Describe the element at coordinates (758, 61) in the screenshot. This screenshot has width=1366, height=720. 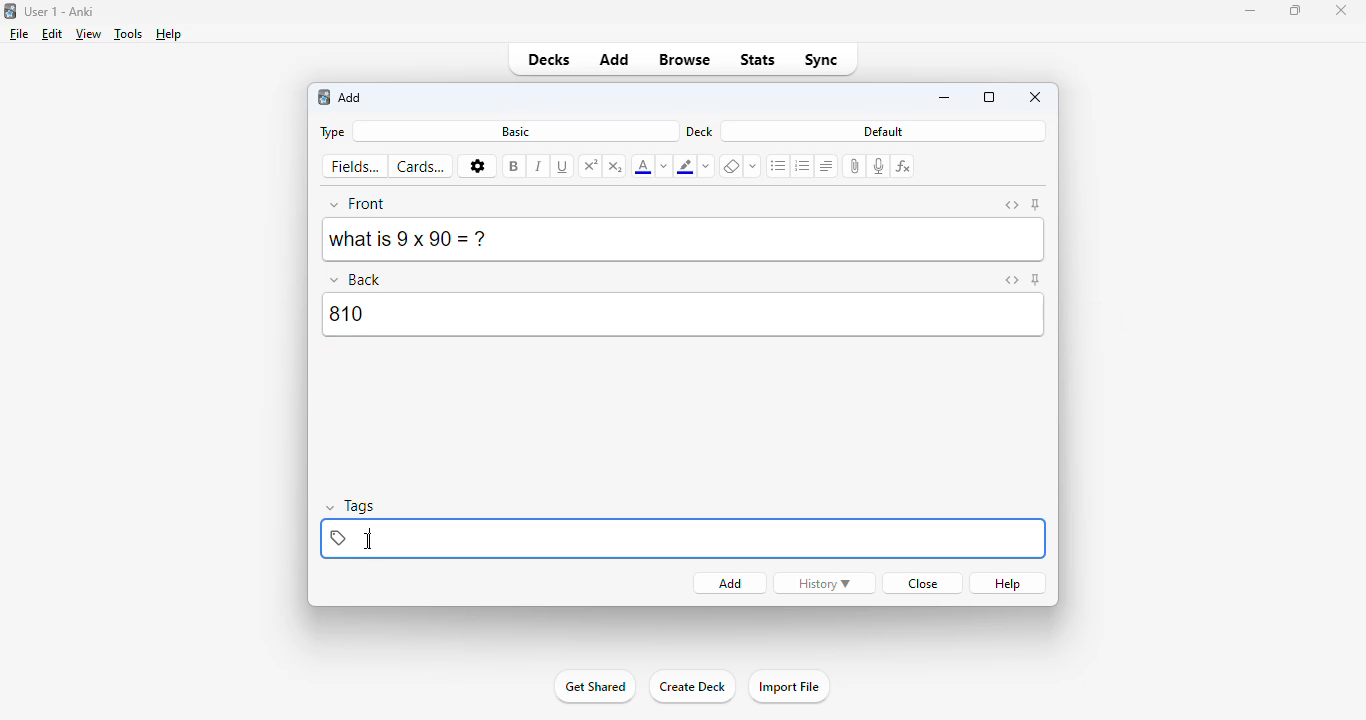
I see `stats` at that location.